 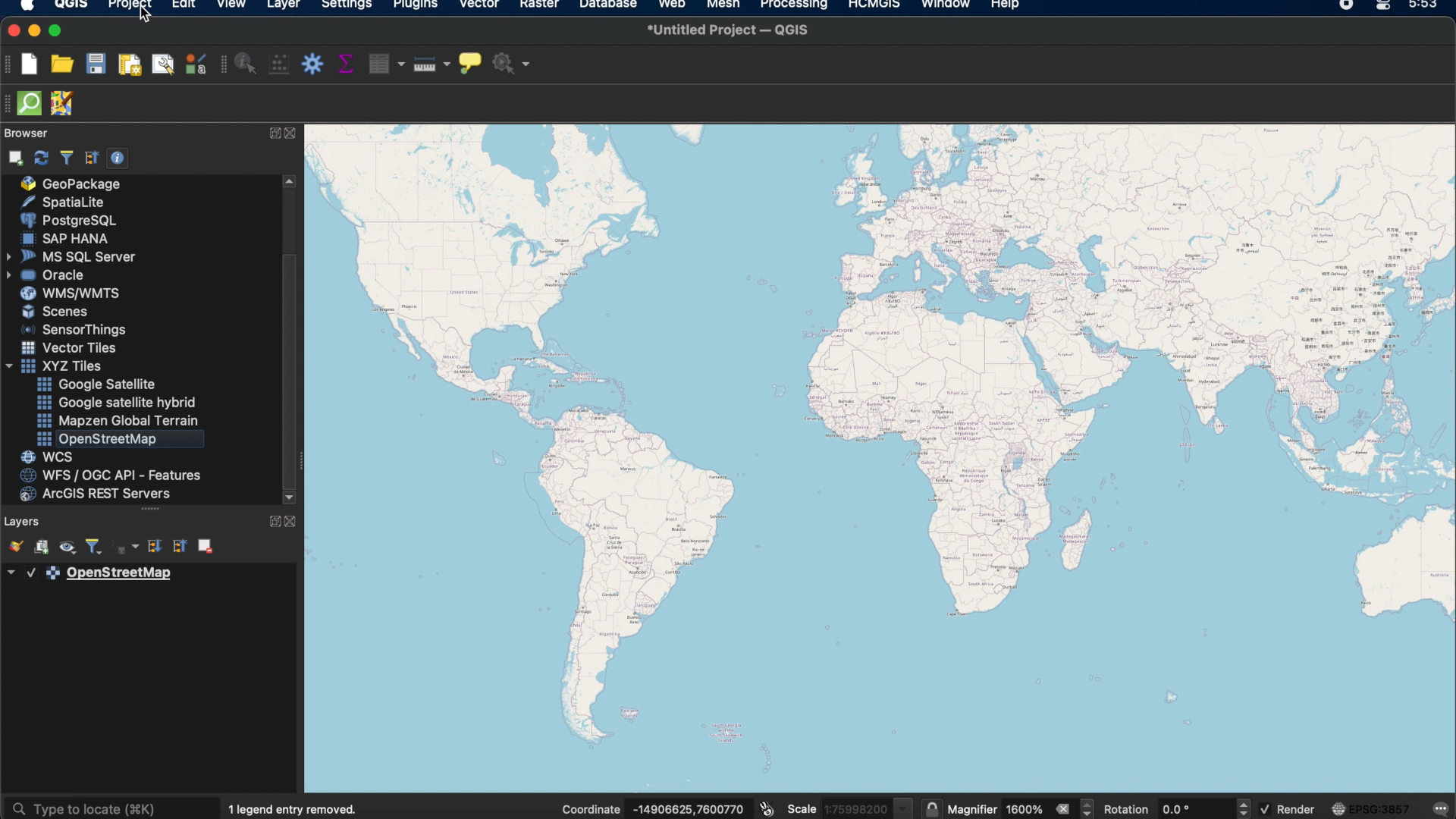 I want to click on maximize, so click(x=57, y=30).